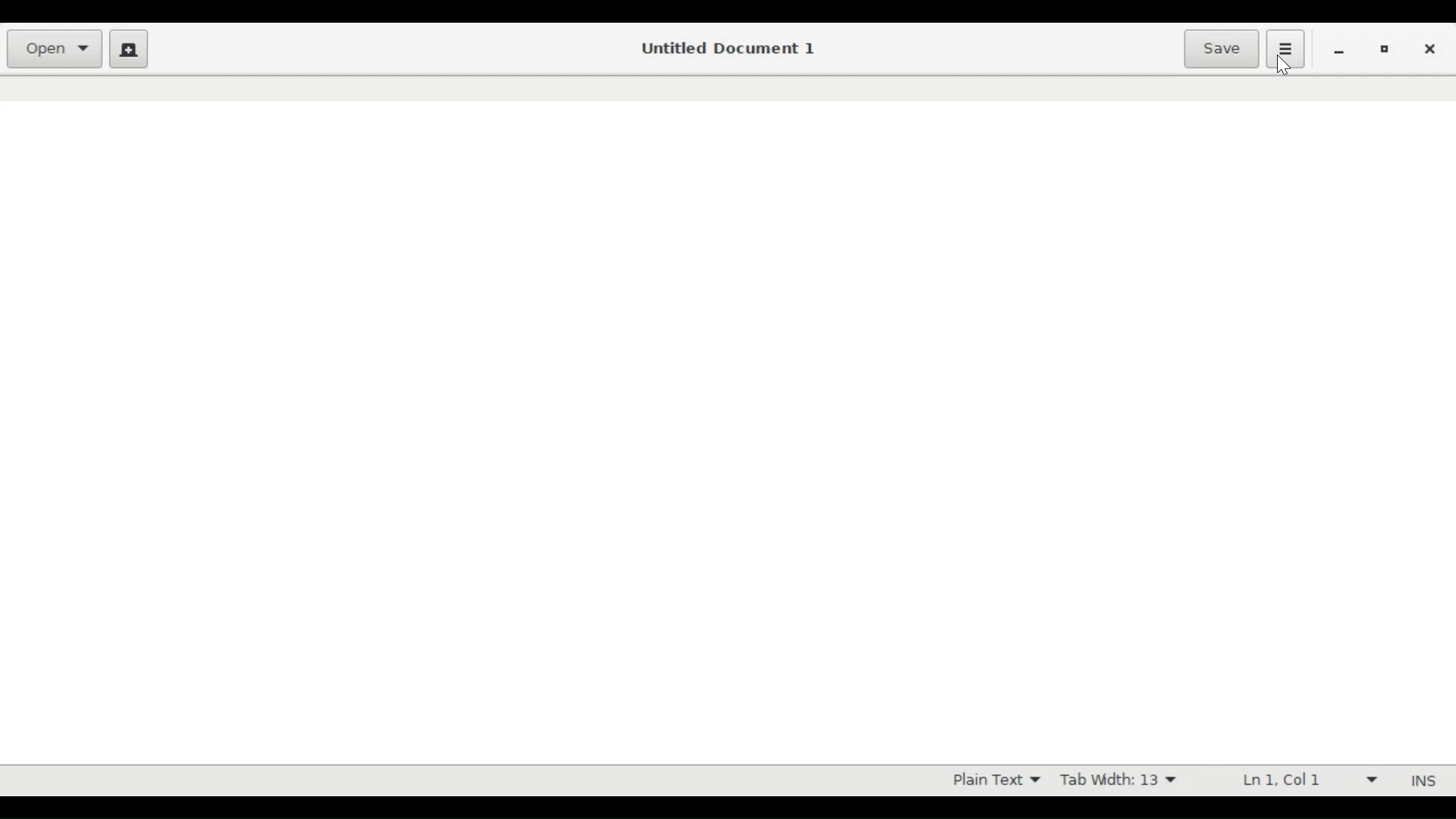  What do you see at coordinates (1285, 49) in the screenshot?
I see `Application menu` at bounding box center [1285, 49].